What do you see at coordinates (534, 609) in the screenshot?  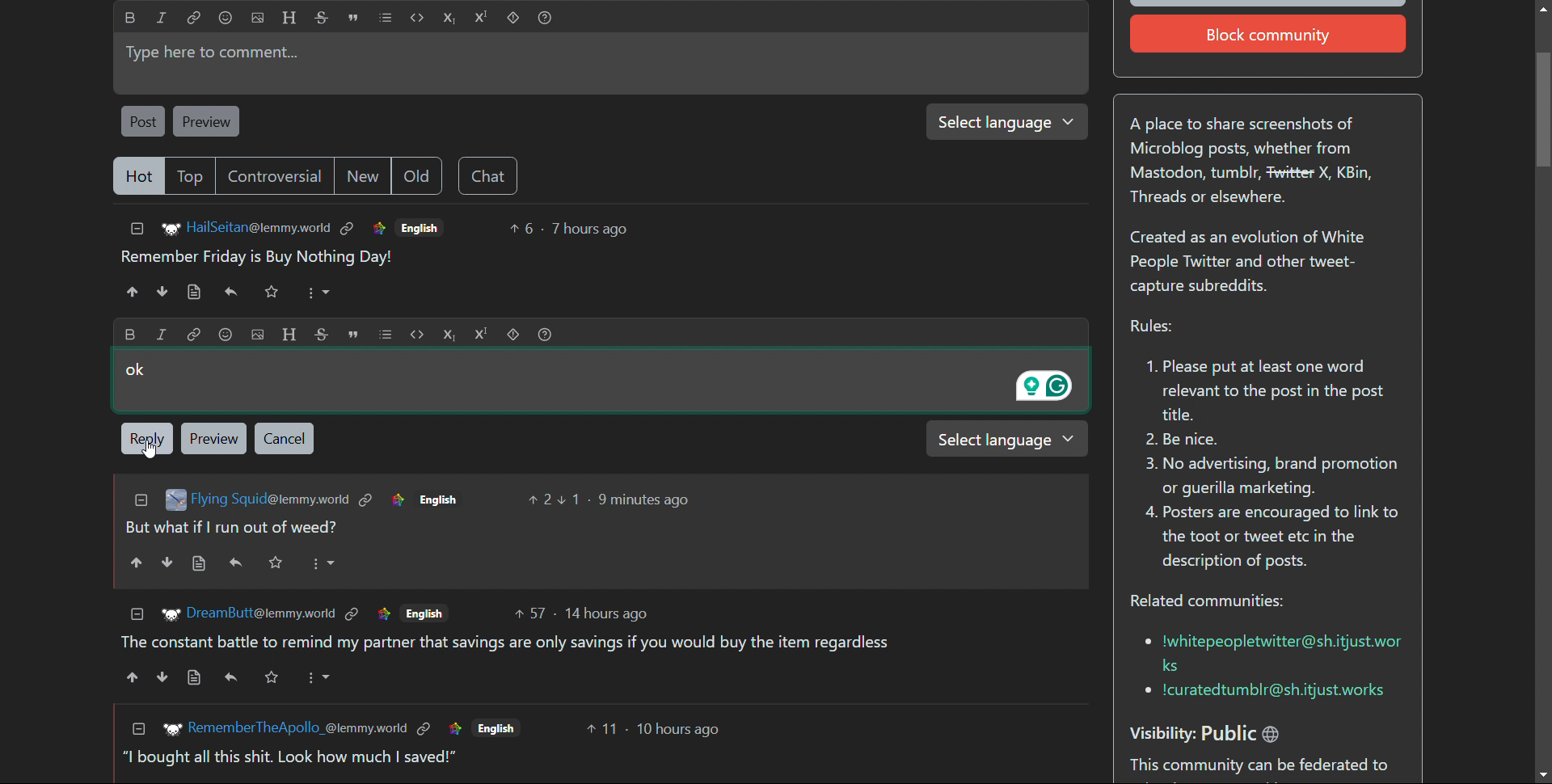 I see `number of upvotes` at bounding box center [534, 609].